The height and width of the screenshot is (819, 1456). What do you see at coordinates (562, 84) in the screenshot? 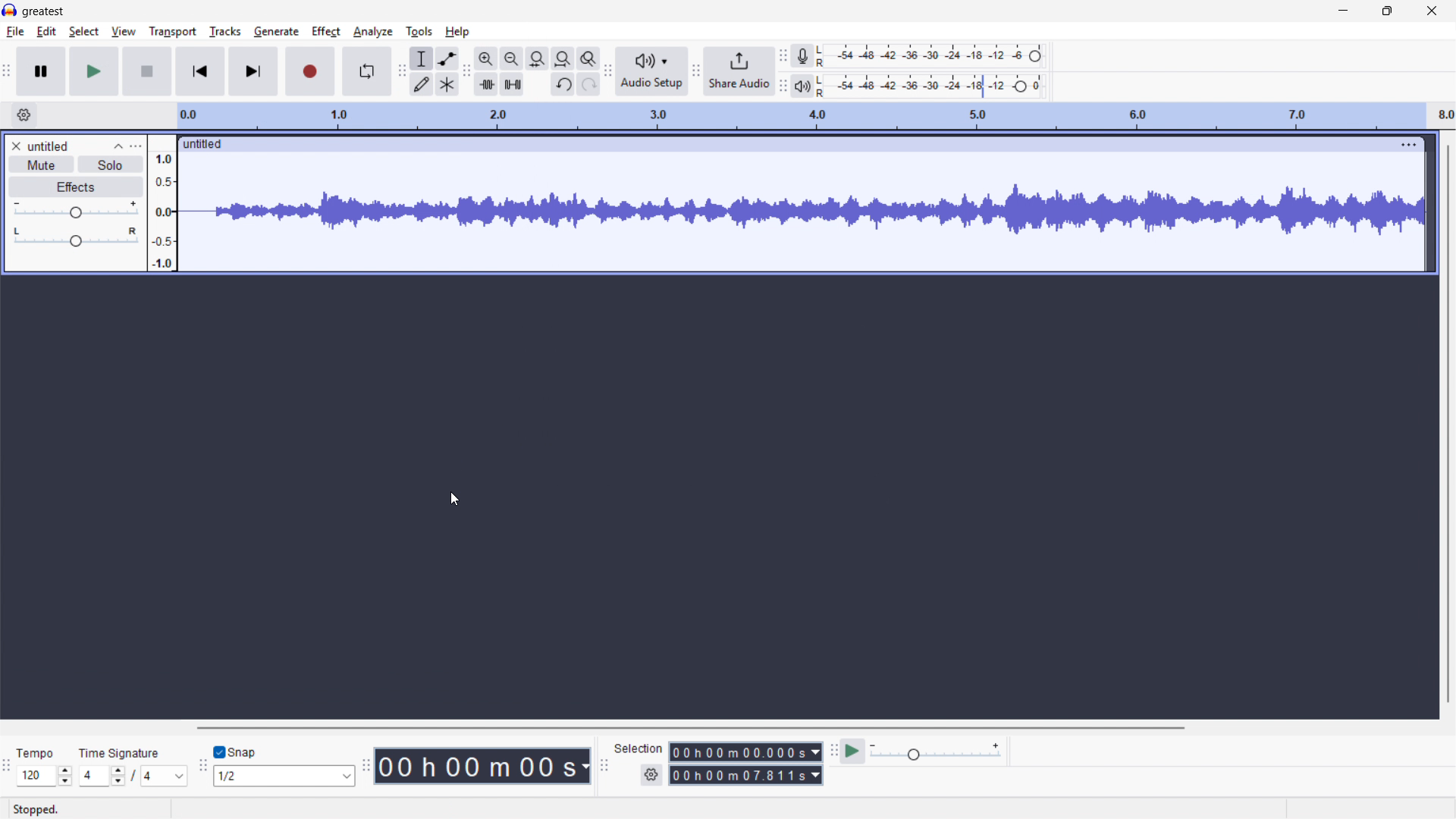
I see `undo` at bounding box center [562, 84].